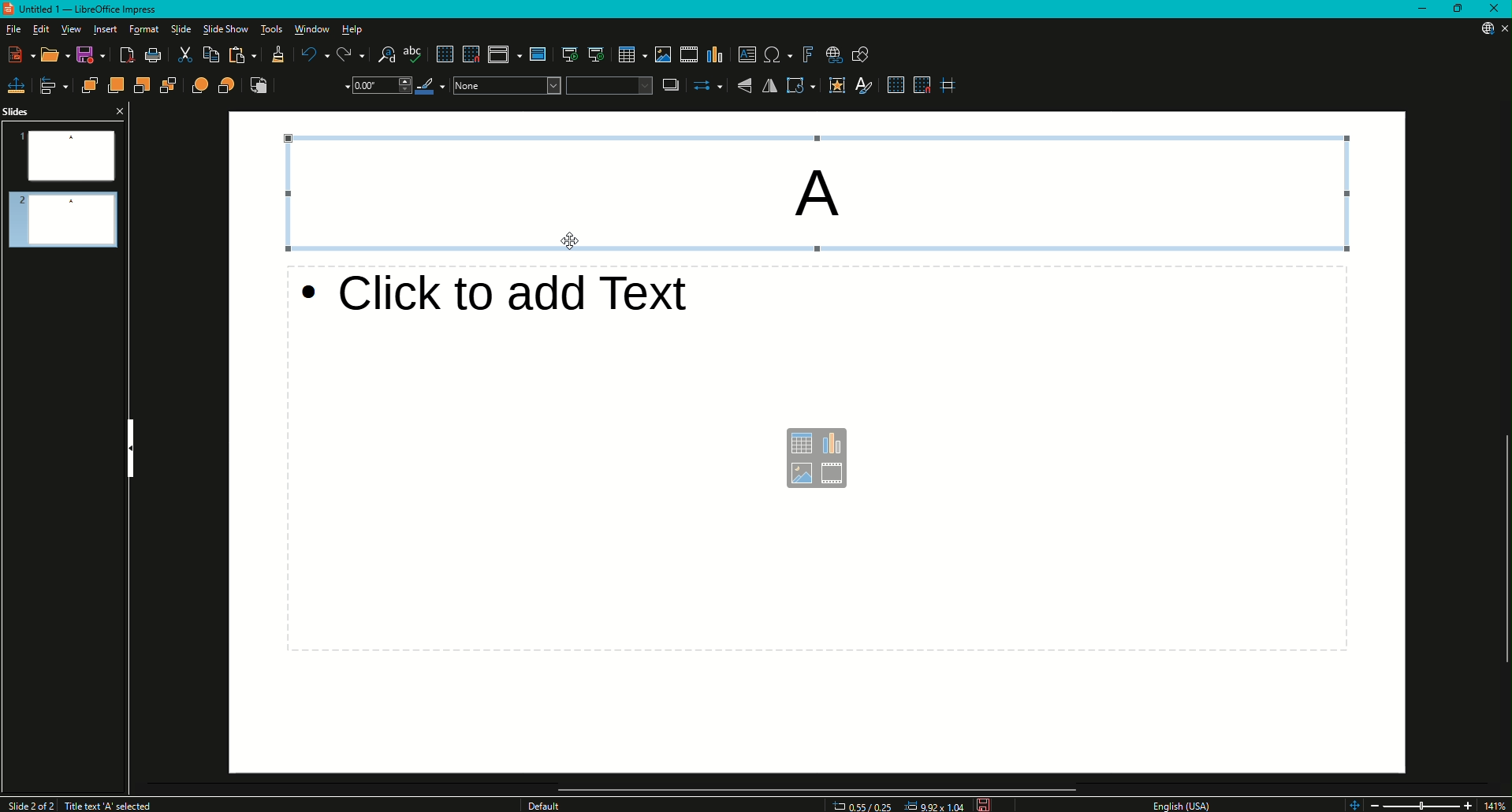 This screenshot has width=1512, height=812. I want to click on Text box options, so click(814, 458).